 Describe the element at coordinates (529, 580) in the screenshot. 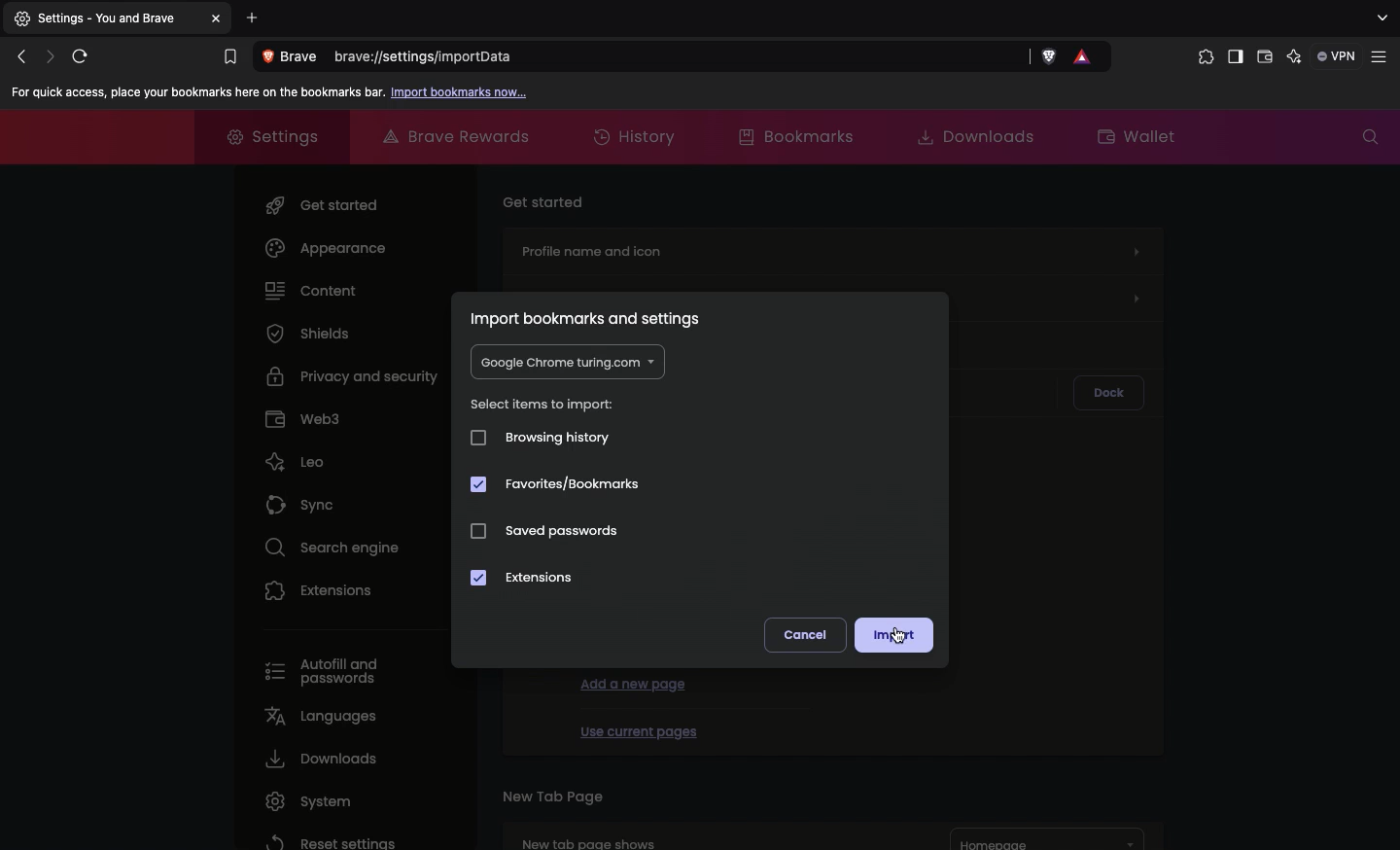

I see `Extensions` at that location.